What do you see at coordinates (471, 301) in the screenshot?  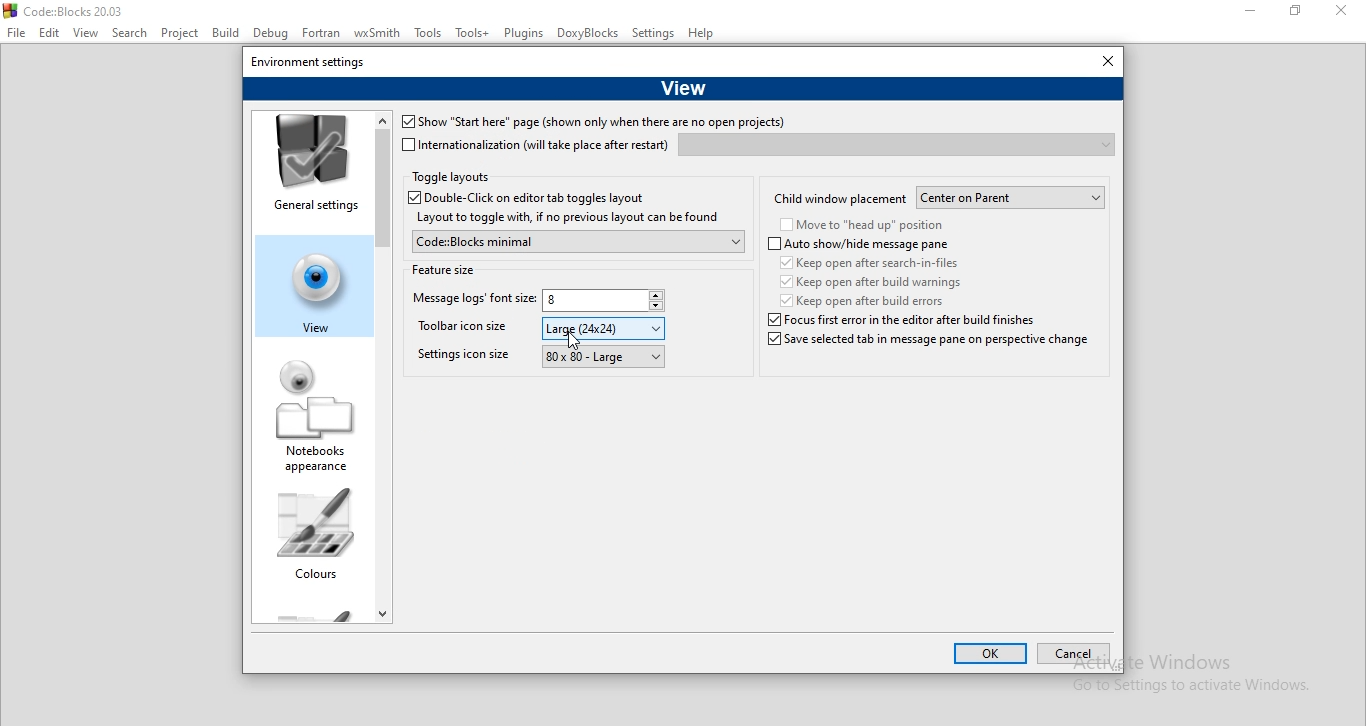 I see `Message logs font size: 8` at bounding box center [471, 301].